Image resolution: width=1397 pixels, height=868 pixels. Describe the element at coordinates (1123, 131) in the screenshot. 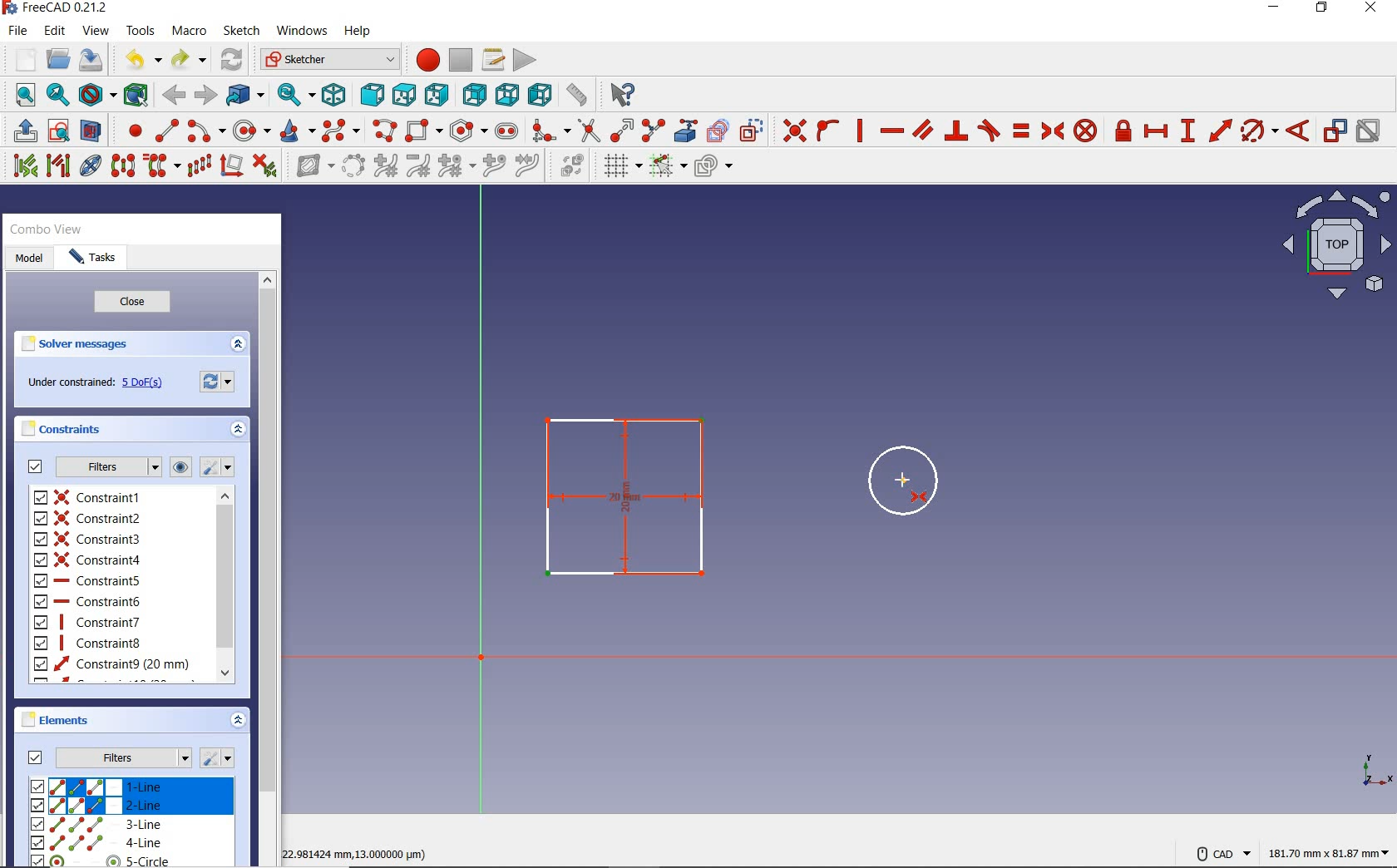

I see `constrain lock` at that location.